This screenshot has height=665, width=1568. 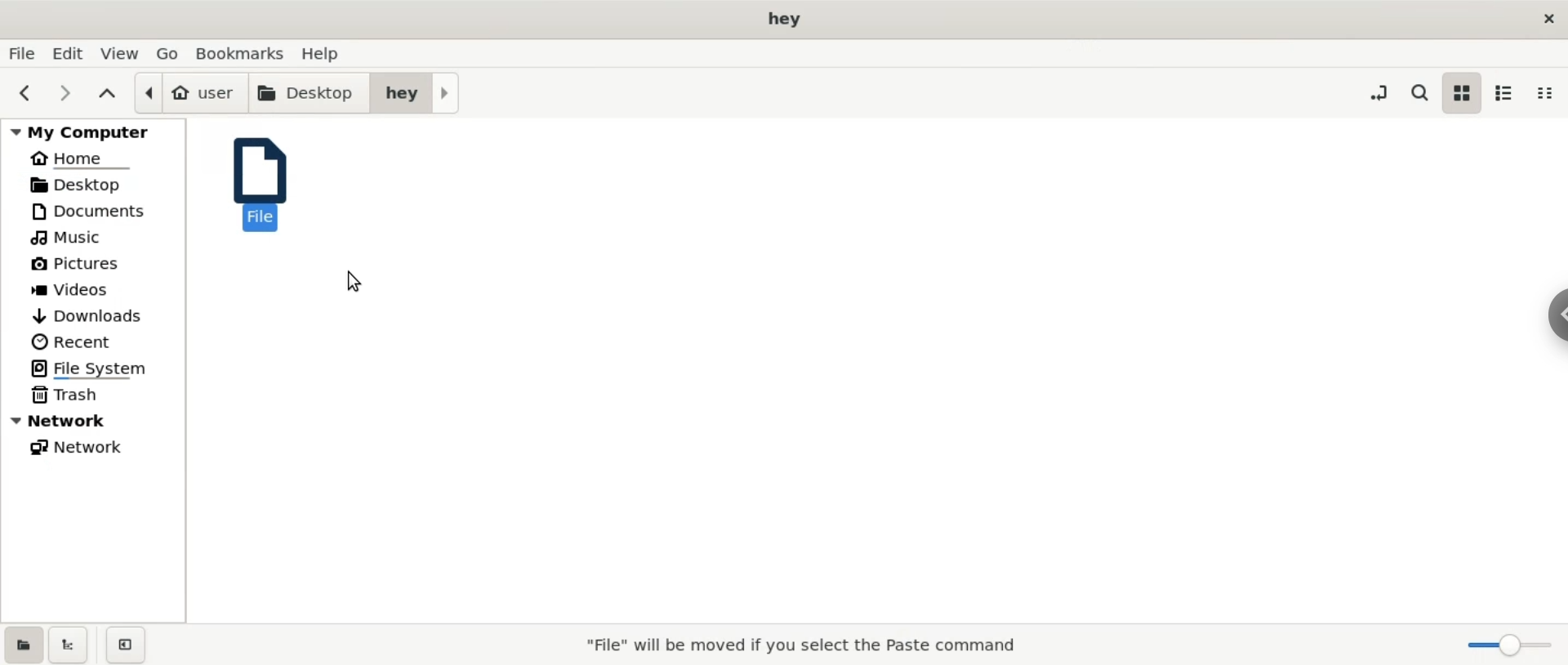 I want to click on my computer, so click(x=89, y=132).